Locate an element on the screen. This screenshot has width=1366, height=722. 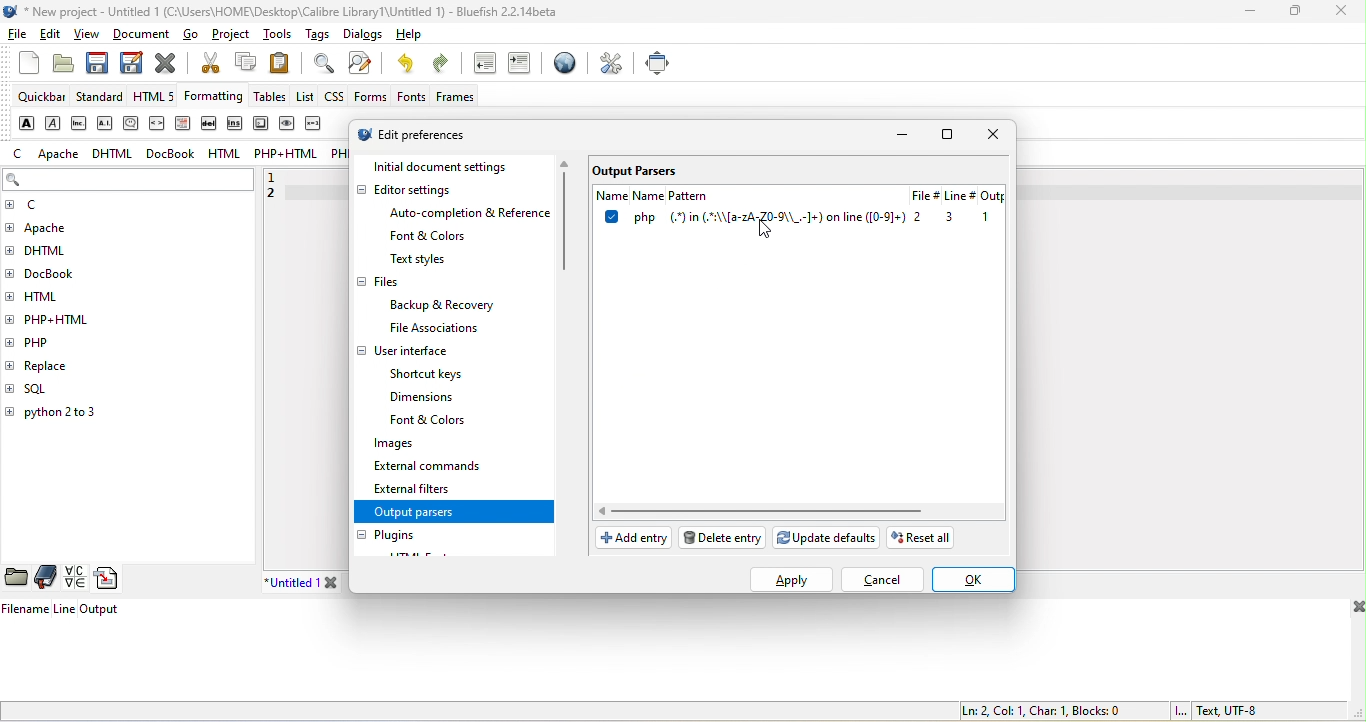
paste is located at coordinates (286, 62).